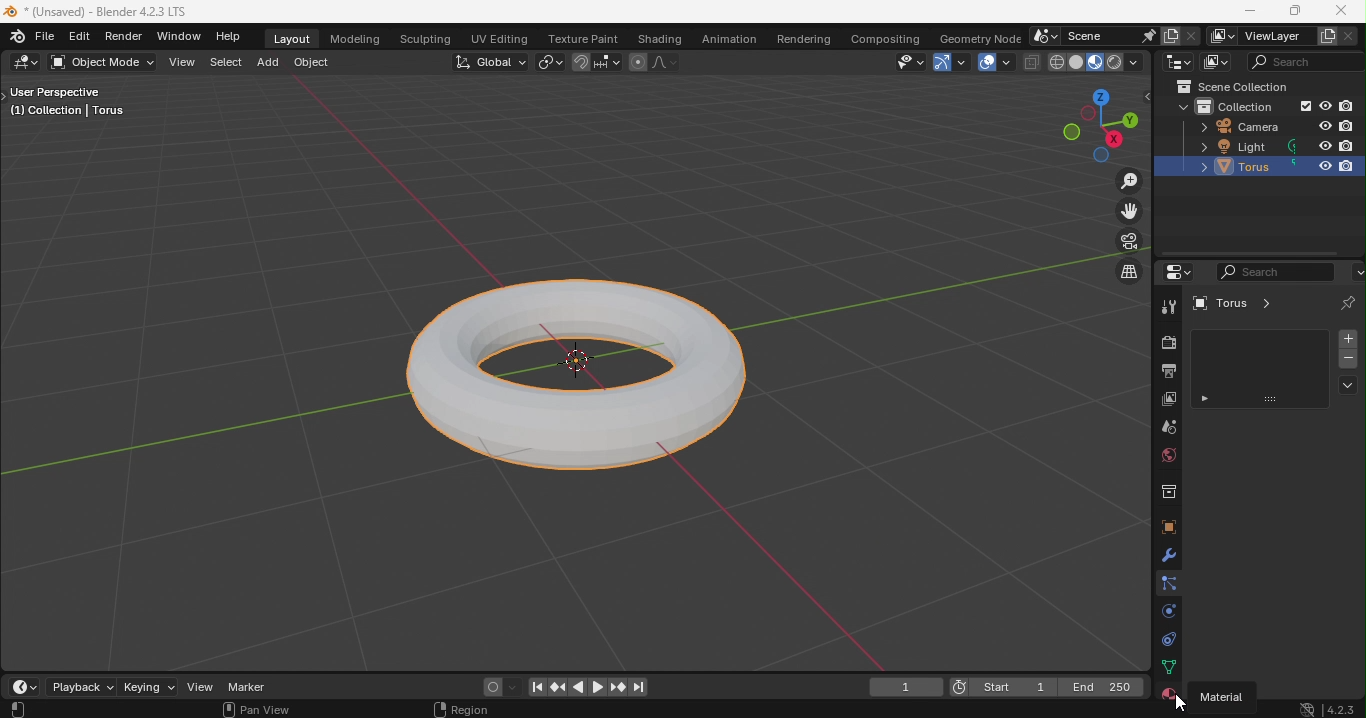 The width and height of the screenshot is (1366, 718). I want to click on Scene, so click(1165, 429).